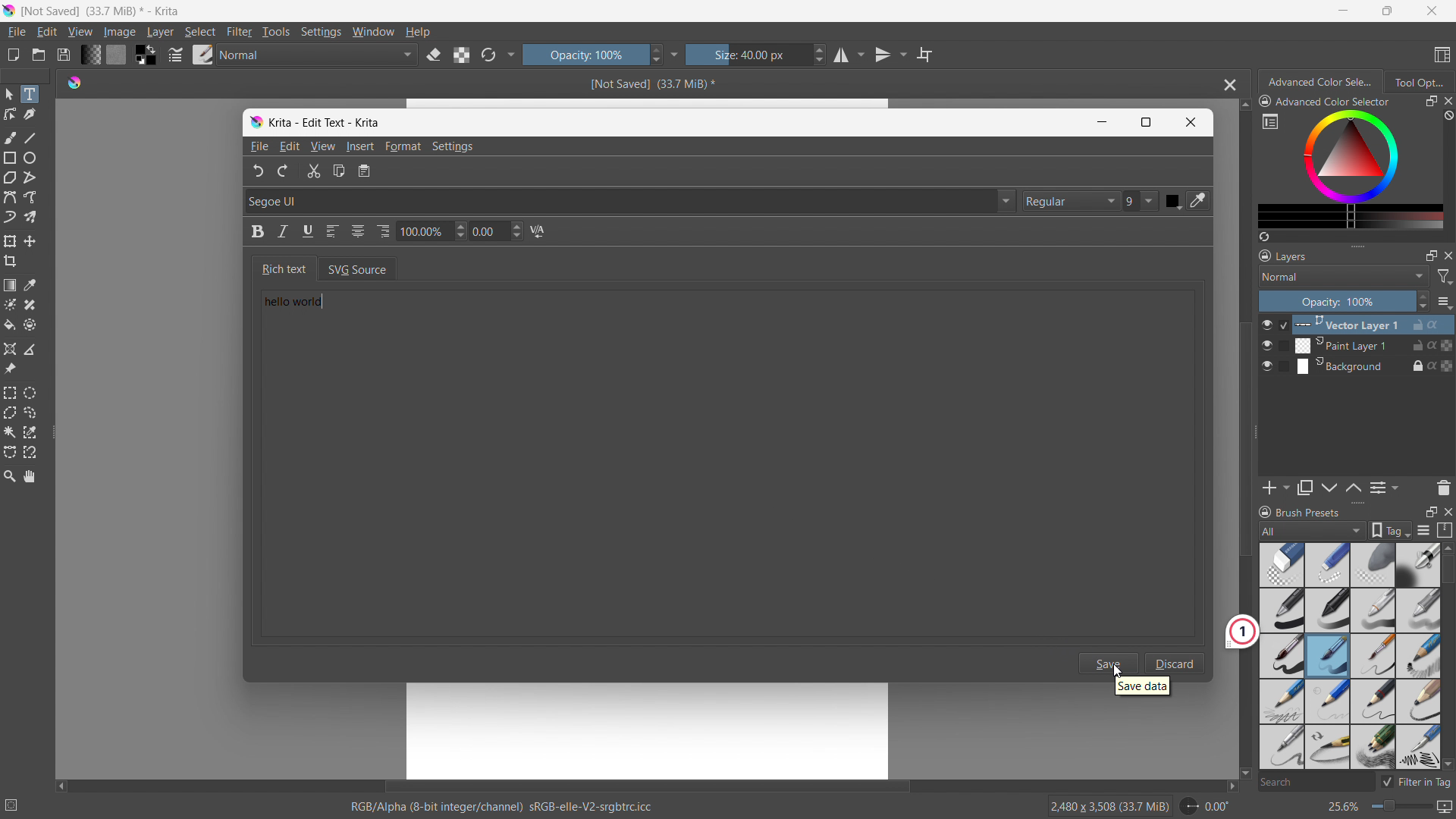  What do you see at coordinates (1367, 346) in the screenshot?
I see `Paint Layer 1` at bounding box center [1367, 346].